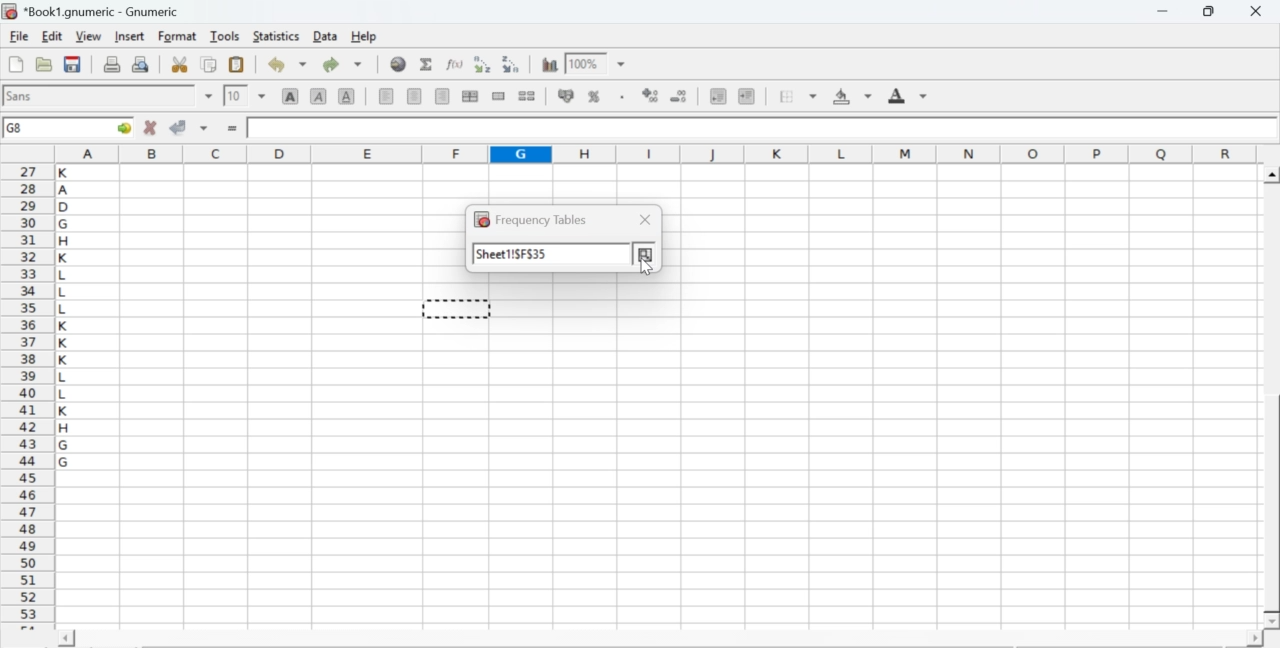 The image size is (1280, 648). I want to click on view, so click(88, 35).